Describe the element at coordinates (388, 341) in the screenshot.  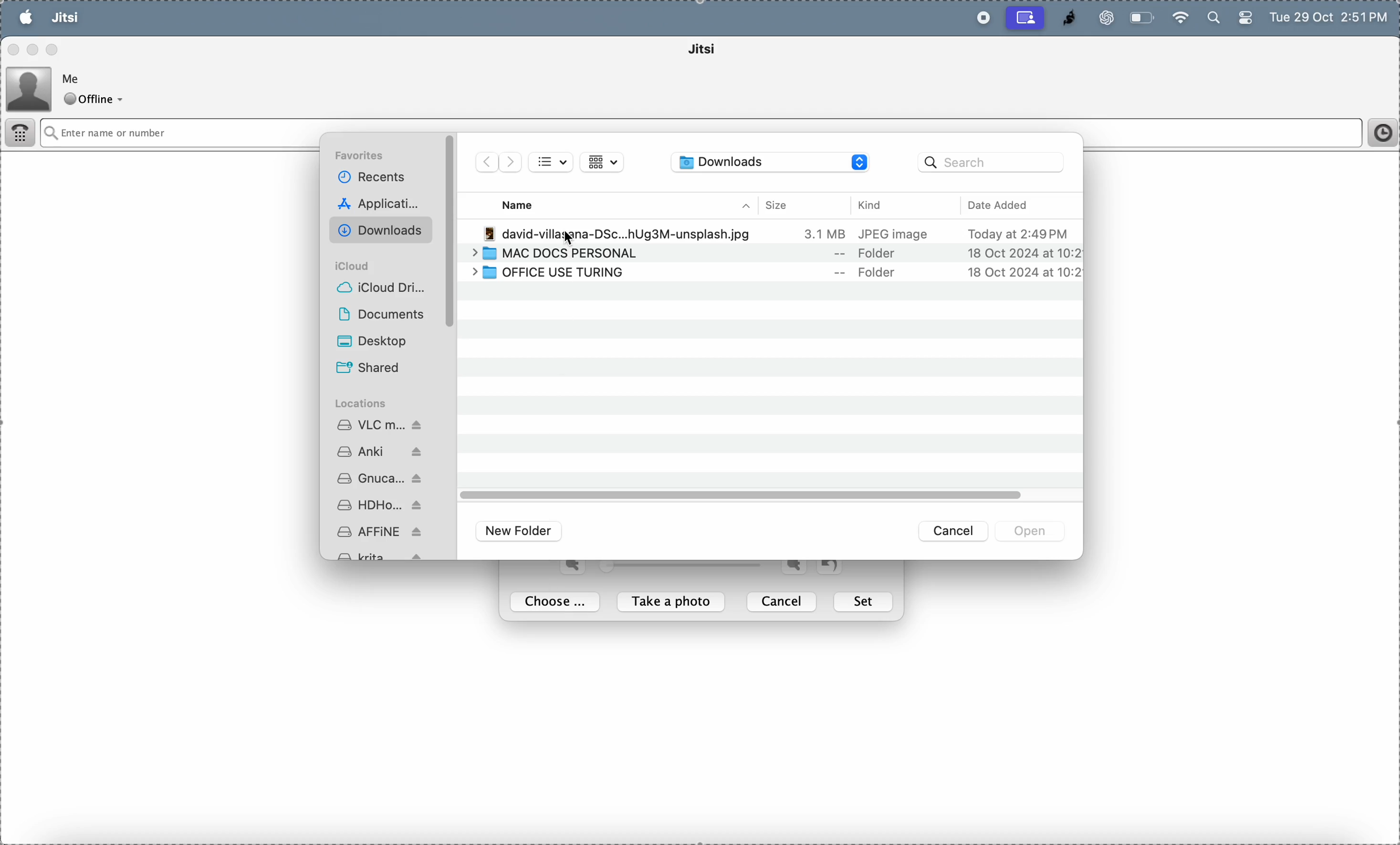
I see `desktop` at that location.